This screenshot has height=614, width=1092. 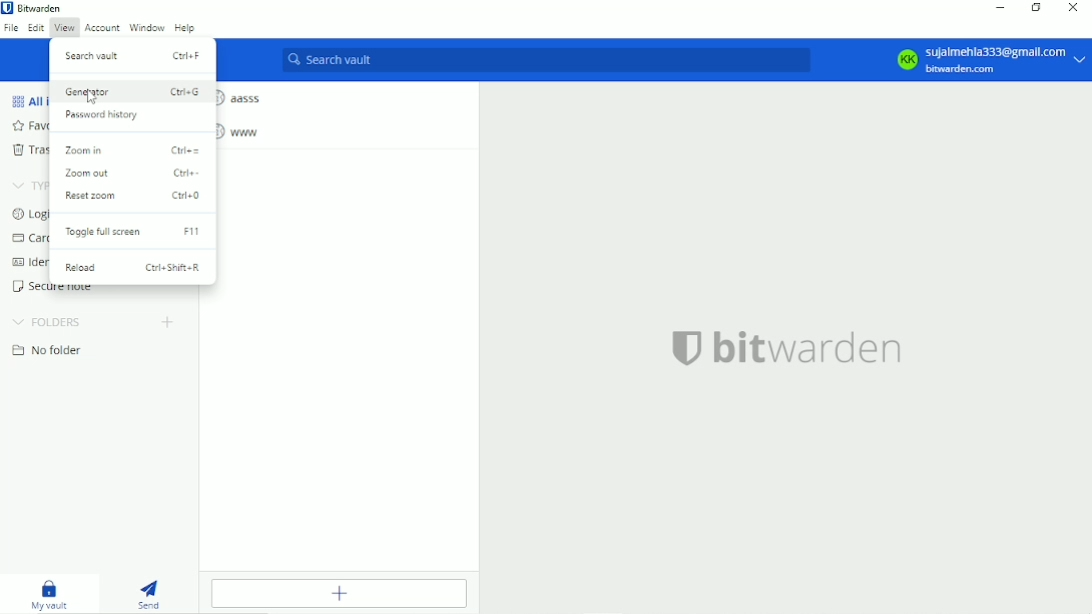 What do you see at coordinates (146, 28) in the screenshot?
I see `Window` at bounding box center [146, 28].